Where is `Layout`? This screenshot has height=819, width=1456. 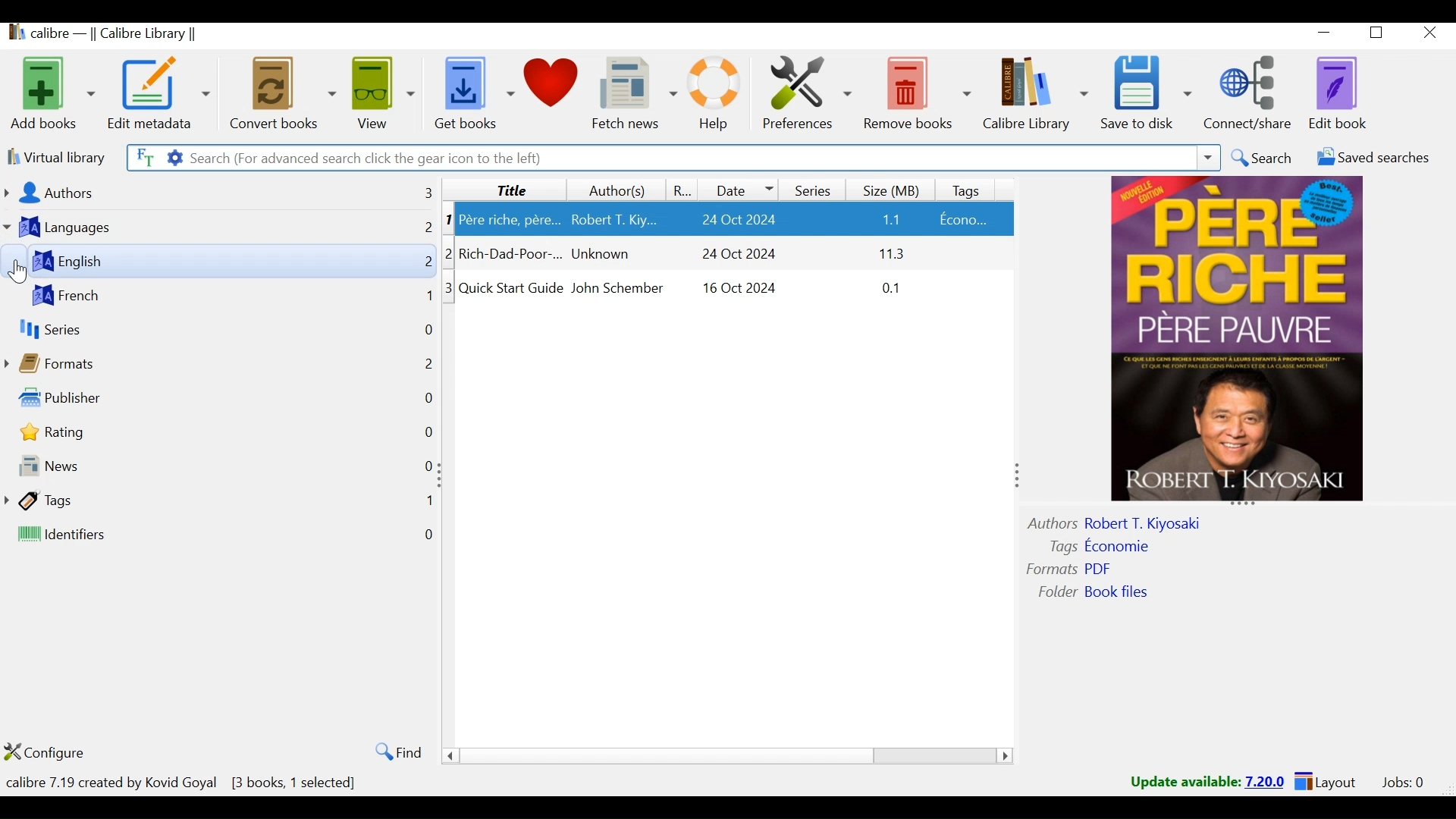 Layout is located at coordinates (1325, 783).